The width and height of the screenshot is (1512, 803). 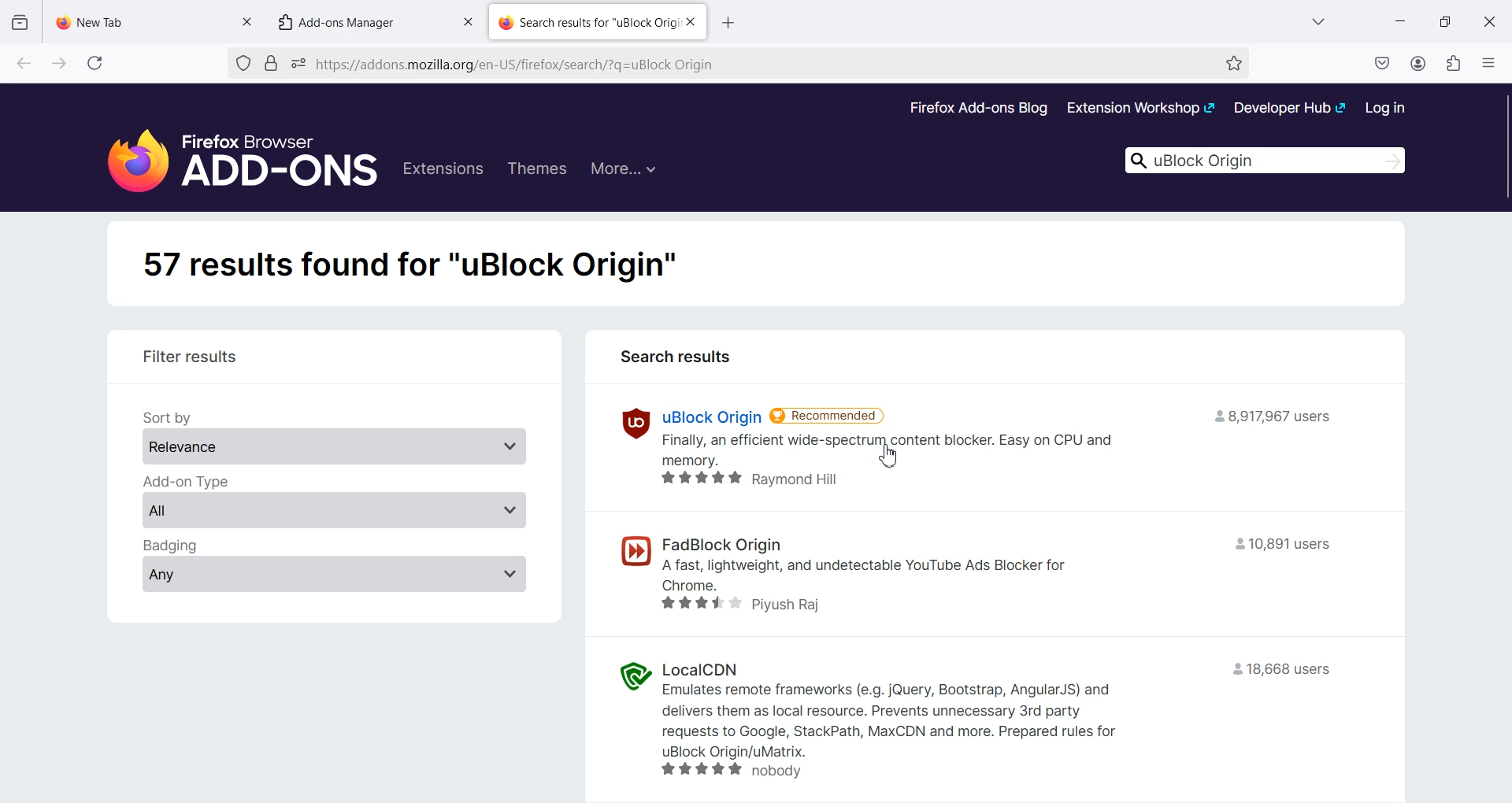 What do you see at coordinates (444, 171) in the screenshot?
I see `Extensions` at bounding box center [444, 171].